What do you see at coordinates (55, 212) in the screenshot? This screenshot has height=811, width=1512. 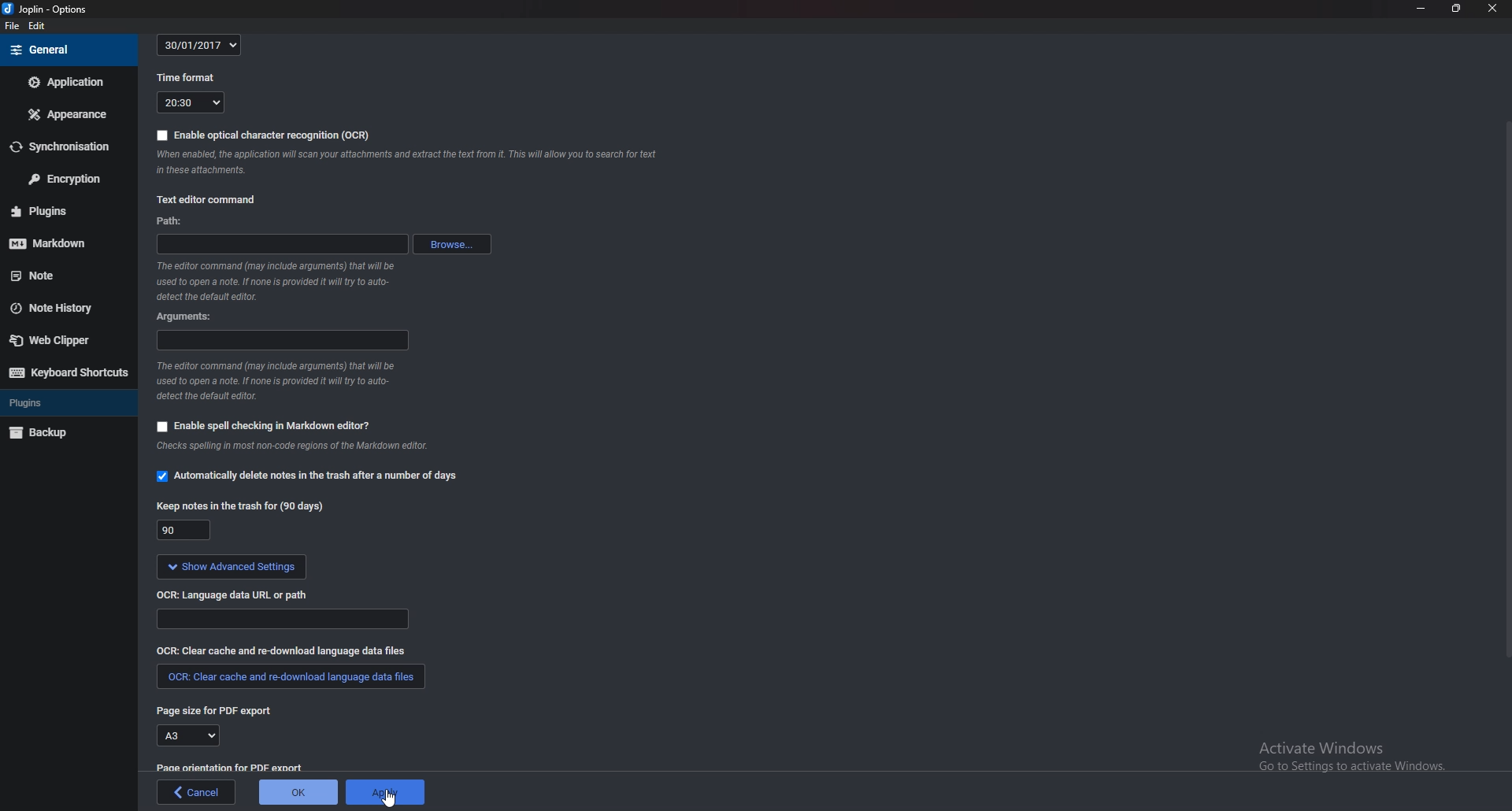 I see `Plugins` at bounding box center [55, 212].